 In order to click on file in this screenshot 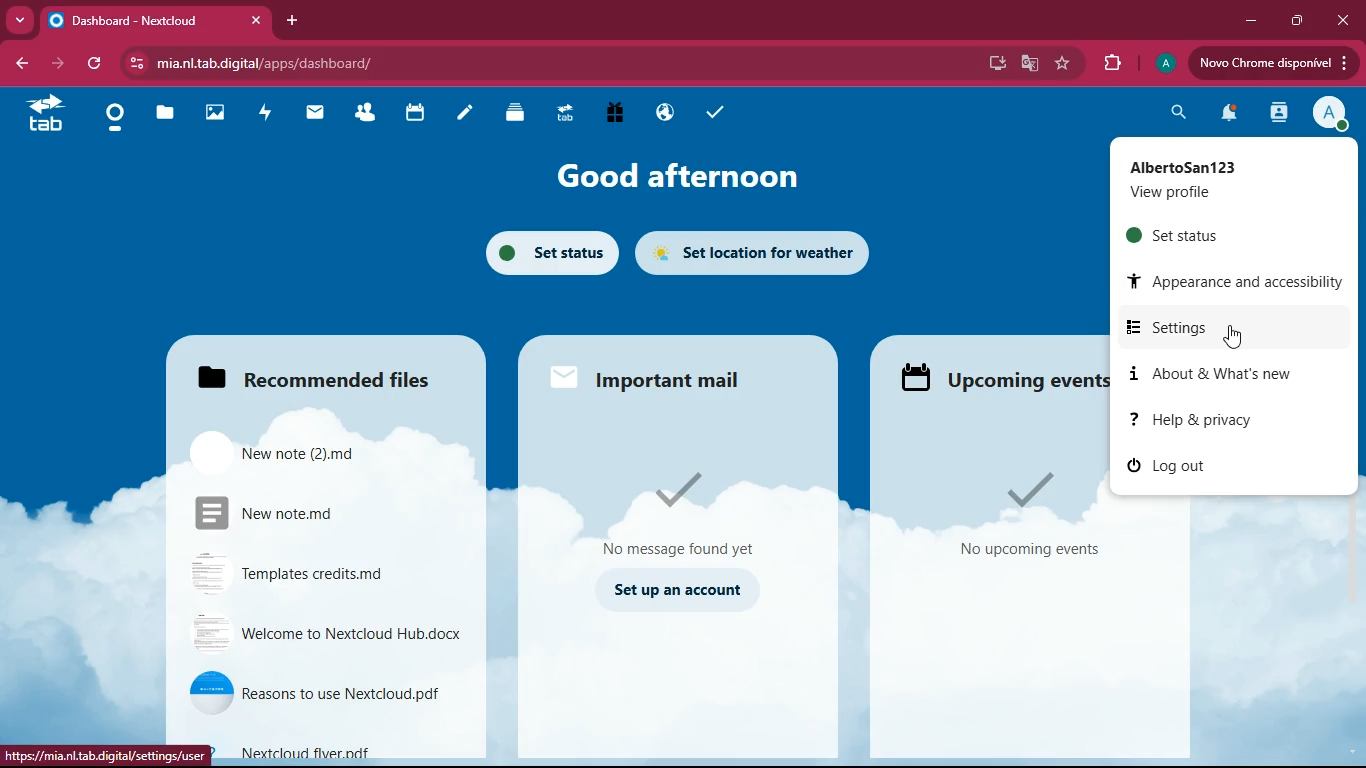, I will do `click(296, 454)`.